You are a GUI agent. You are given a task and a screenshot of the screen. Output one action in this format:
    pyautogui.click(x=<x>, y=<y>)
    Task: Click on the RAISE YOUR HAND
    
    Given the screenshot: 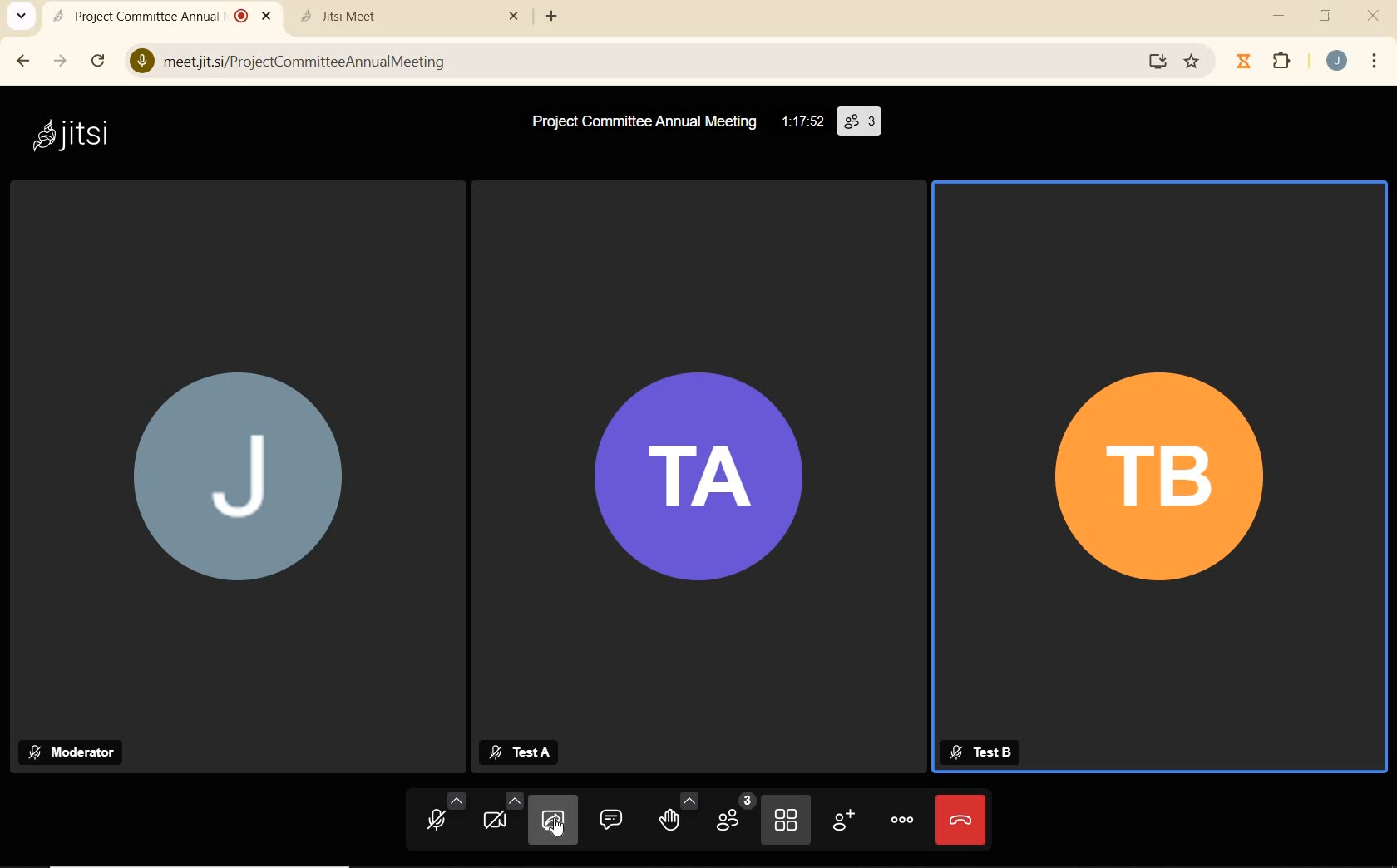 What is the action you would take?
    pyautogui.click(x=677, y=817)
    